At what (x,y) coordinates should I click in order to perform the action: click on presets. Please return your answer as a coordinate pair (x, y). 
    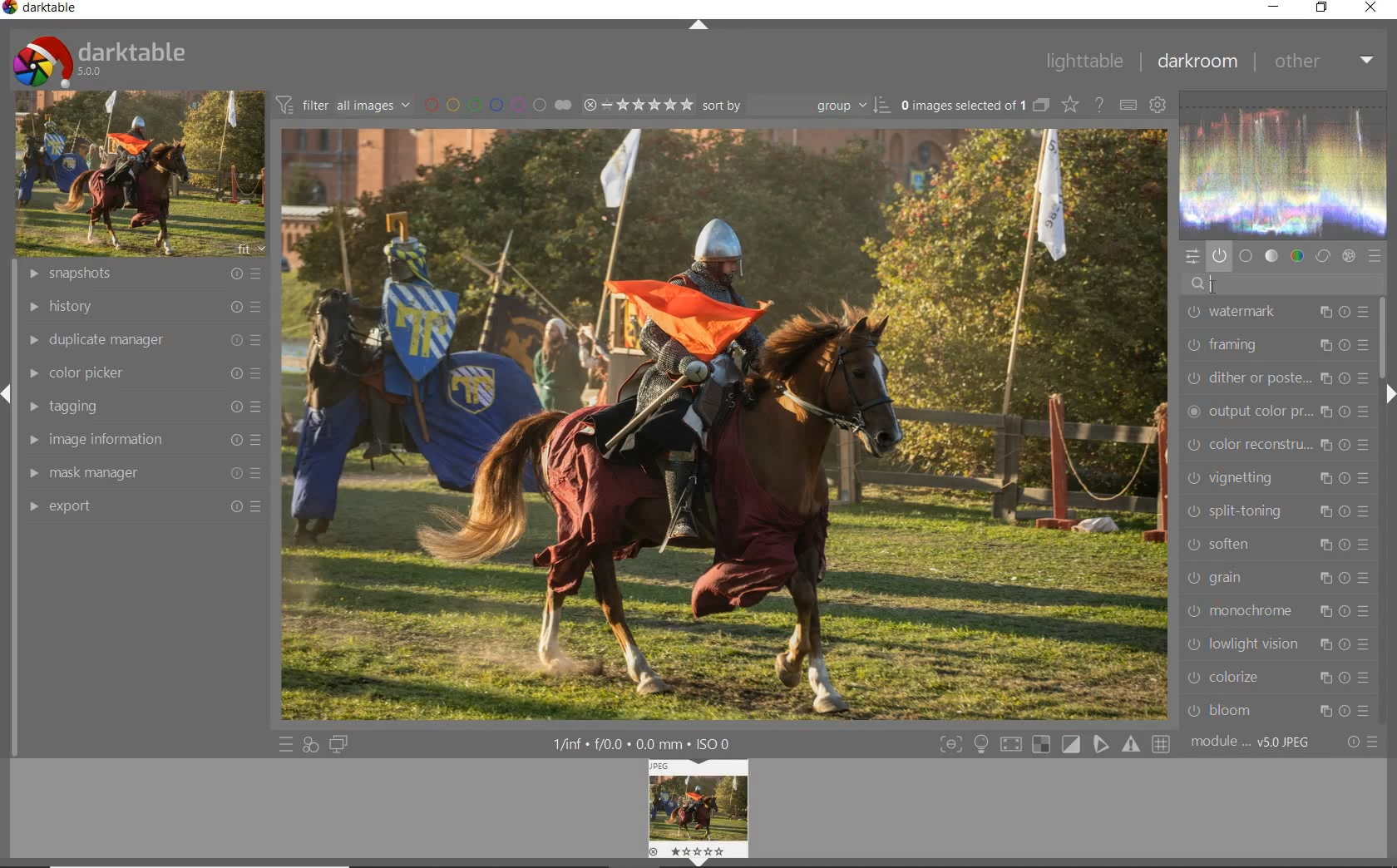
    Looking at the image, I should click on (1375, 257).